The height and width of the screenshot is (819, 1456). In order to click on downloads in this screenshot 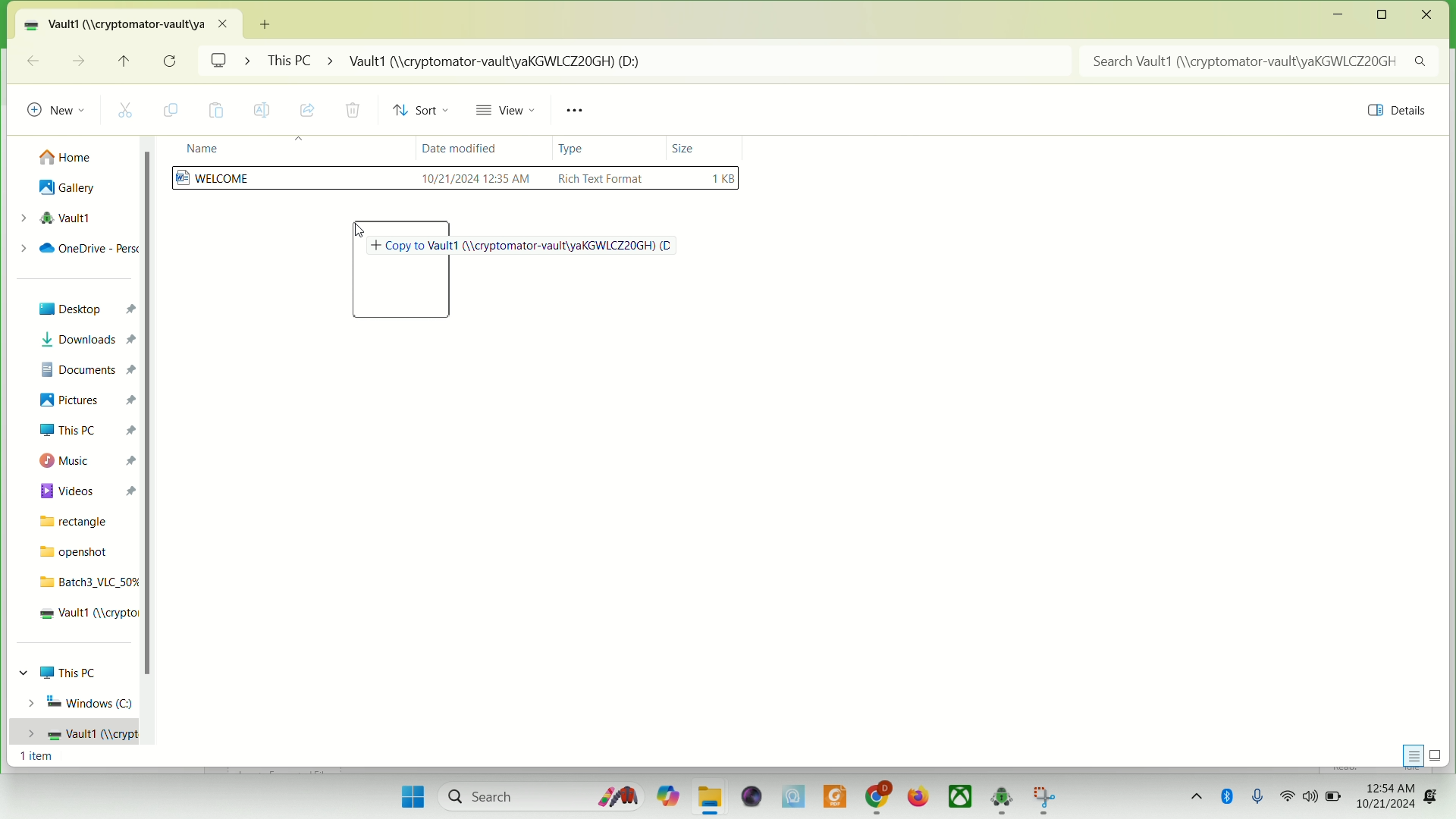, I will do `click(86, 341)`.